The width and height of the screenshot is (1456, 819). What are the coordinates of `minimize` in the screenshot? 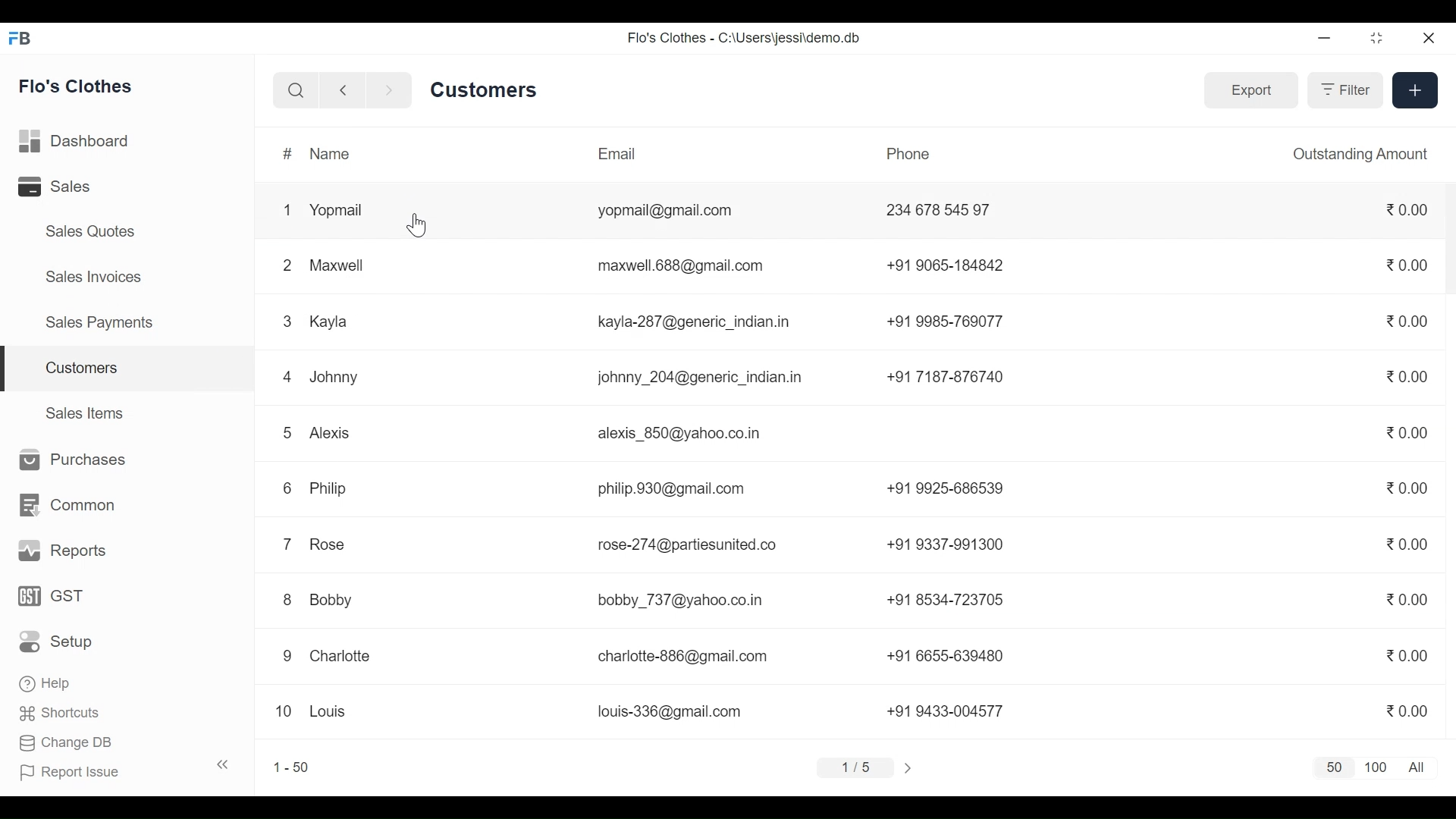 It's located at (1323, 37).